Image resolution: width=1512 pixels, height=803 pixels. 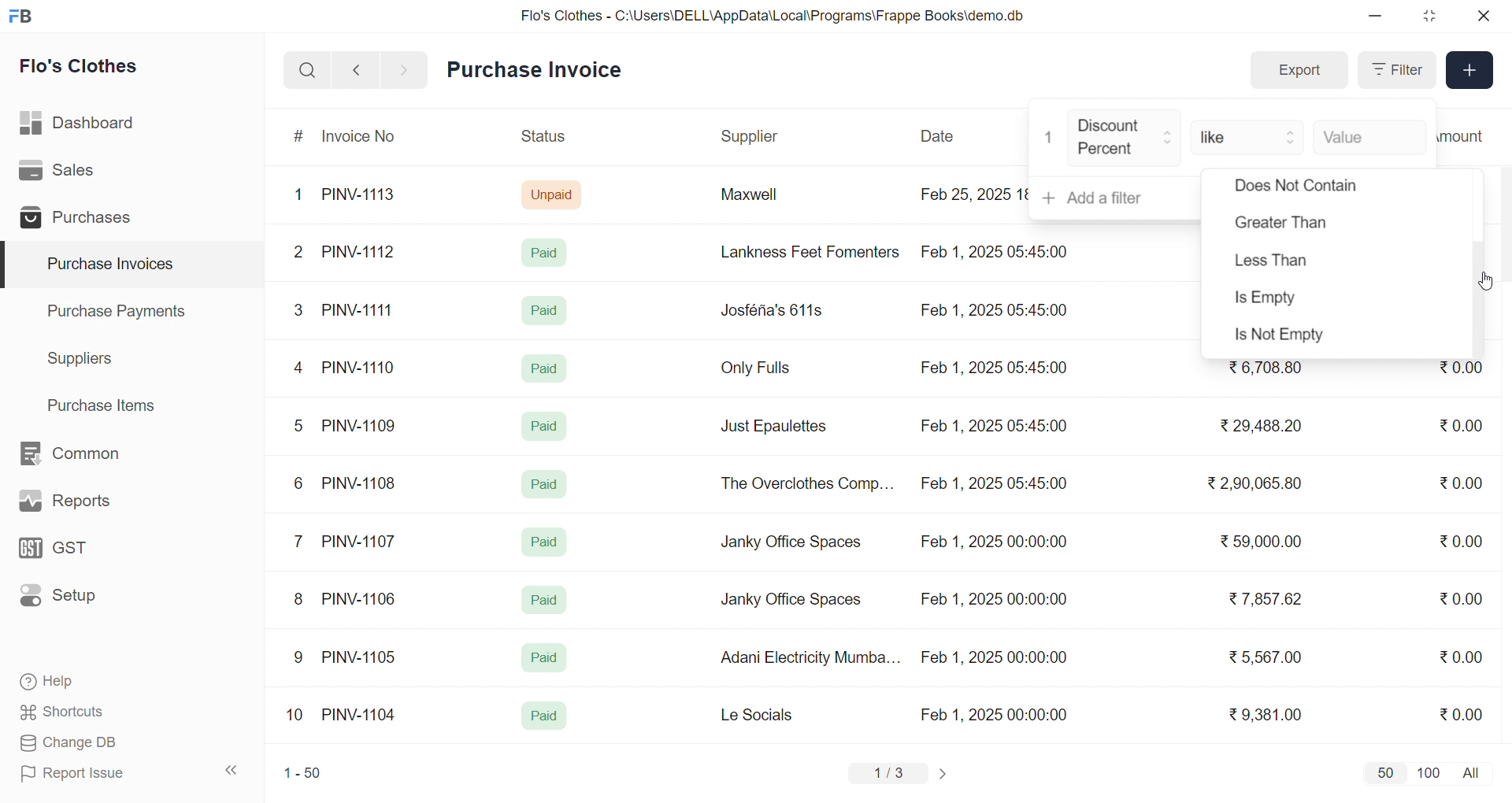 I want to click on 9, so click(x=299, y=657).